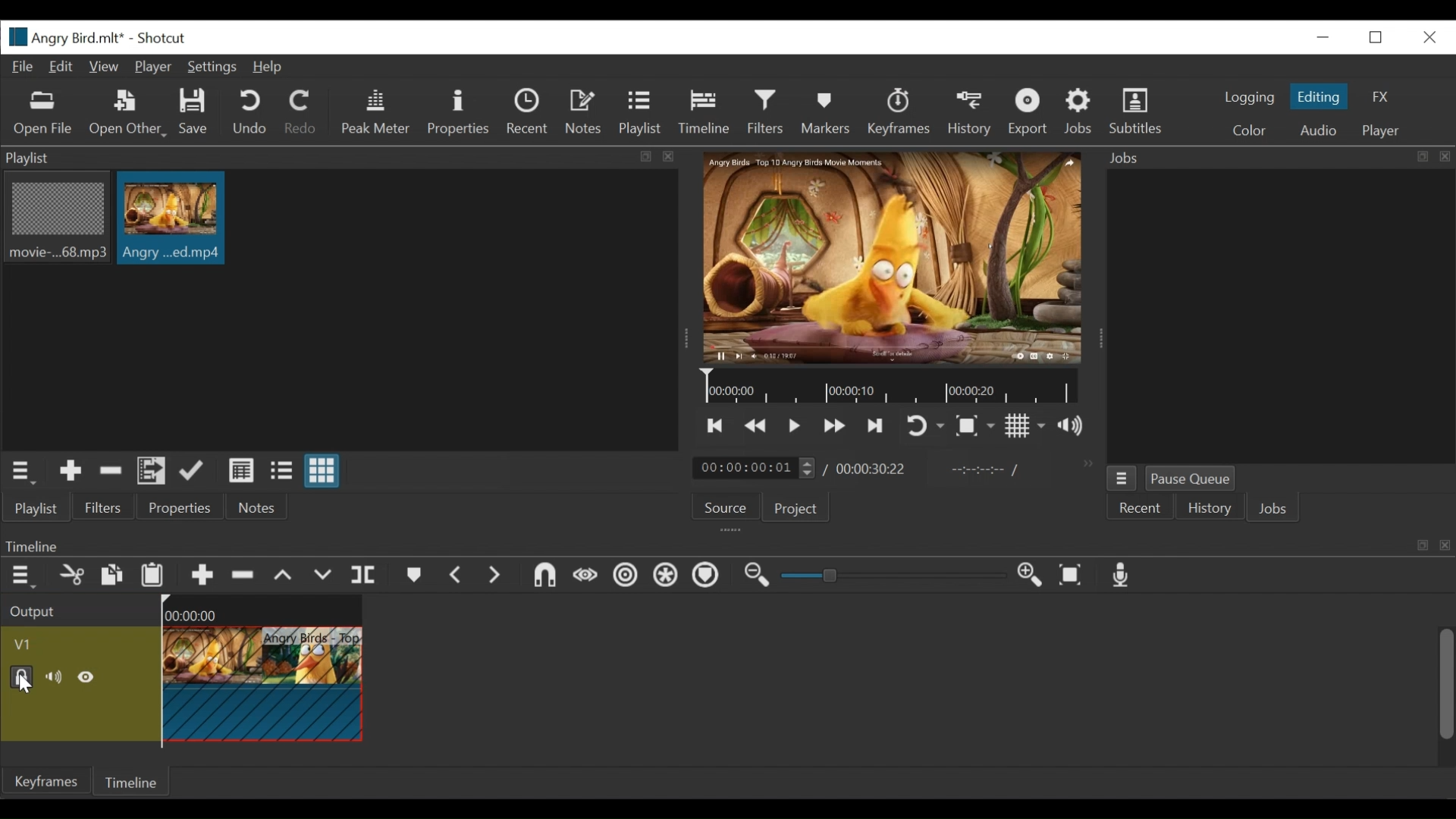 Image resolution: width=1456 pixels, height=819 pixels. I want to click on Playlist, so click(642, 114).